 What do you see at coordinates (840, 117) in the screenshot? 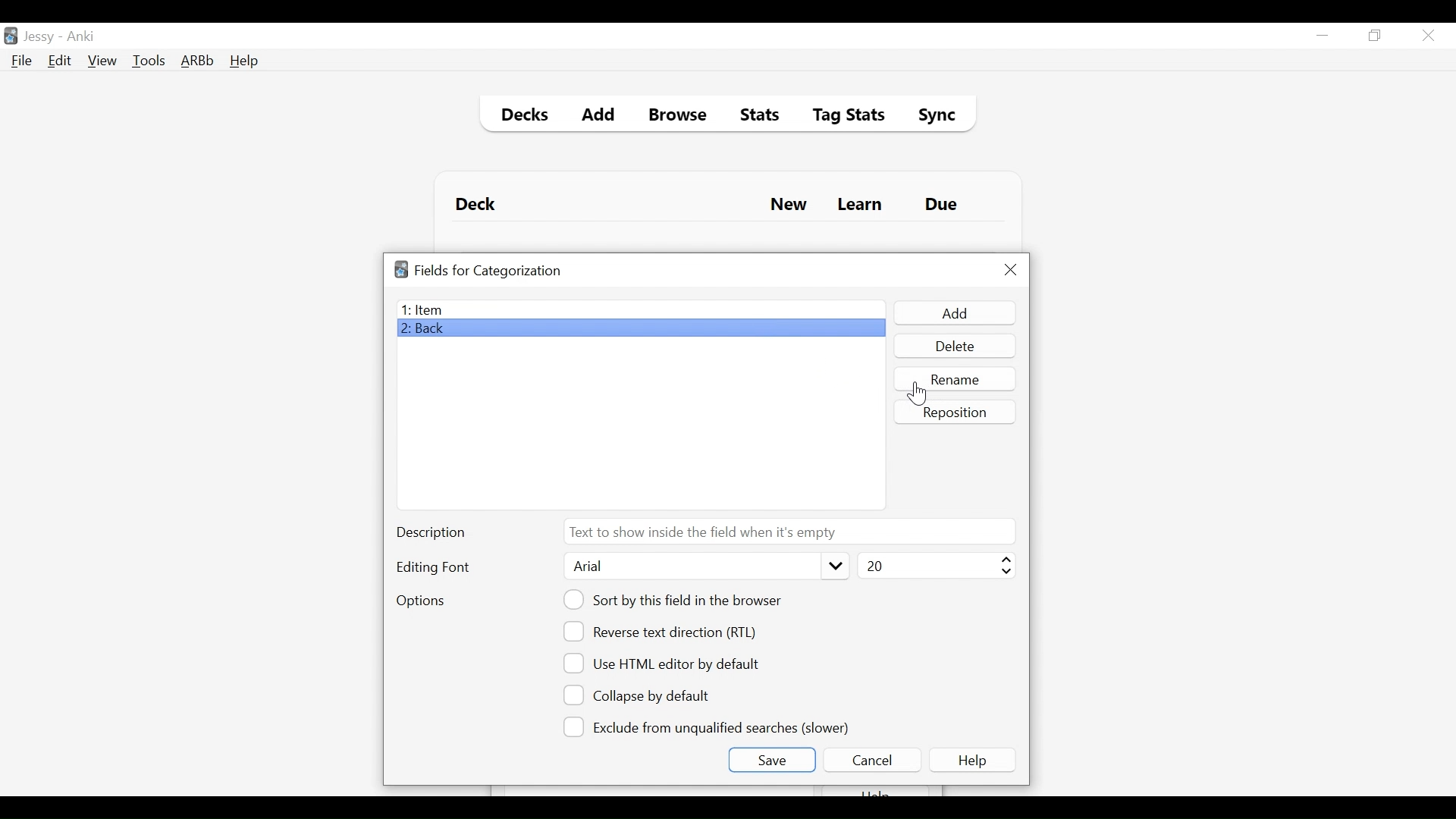
I see `Tag Stats` at bounding box center [840, 117].